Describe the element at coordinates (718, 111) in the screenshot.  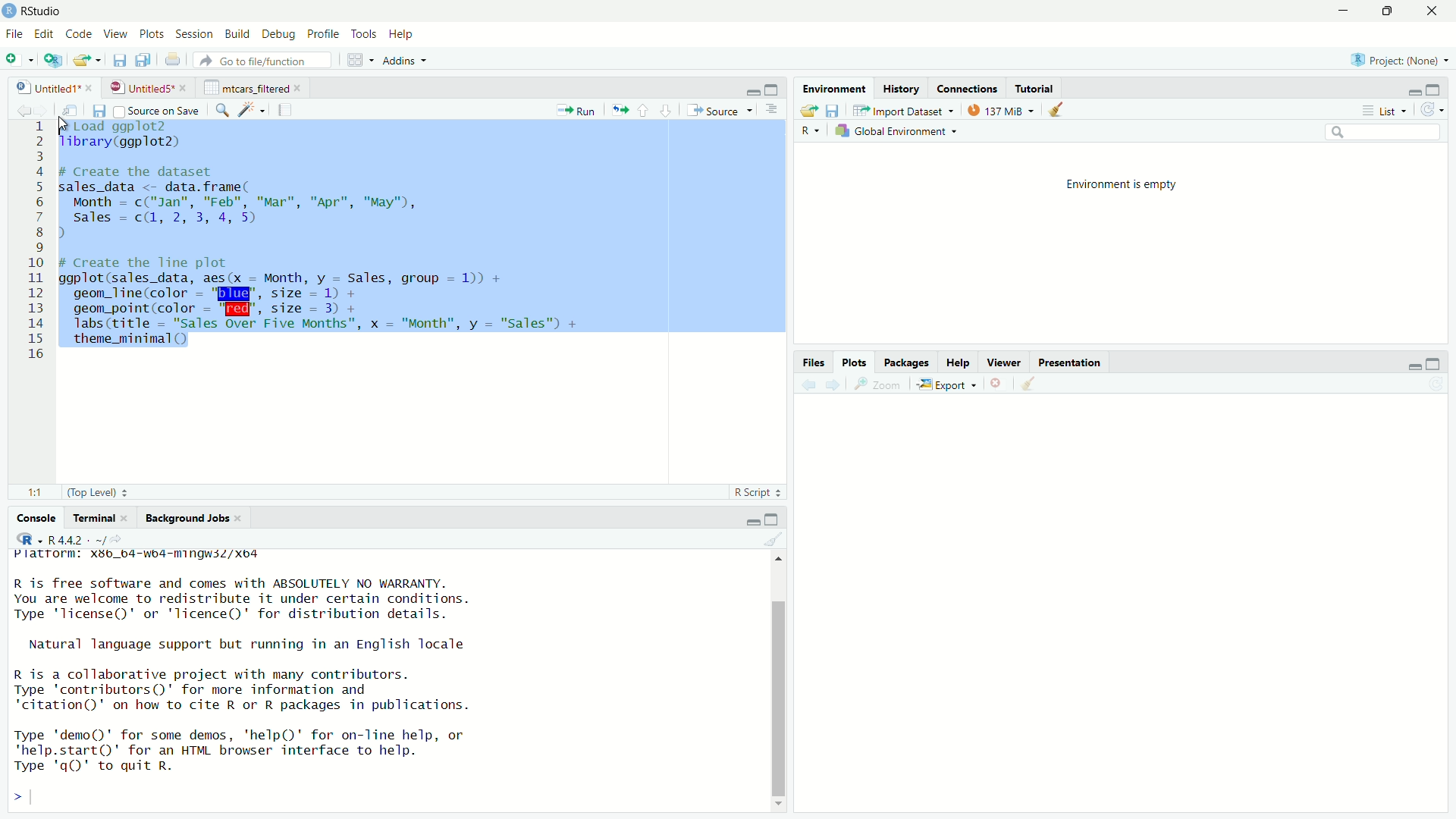
I see `source` at that location.